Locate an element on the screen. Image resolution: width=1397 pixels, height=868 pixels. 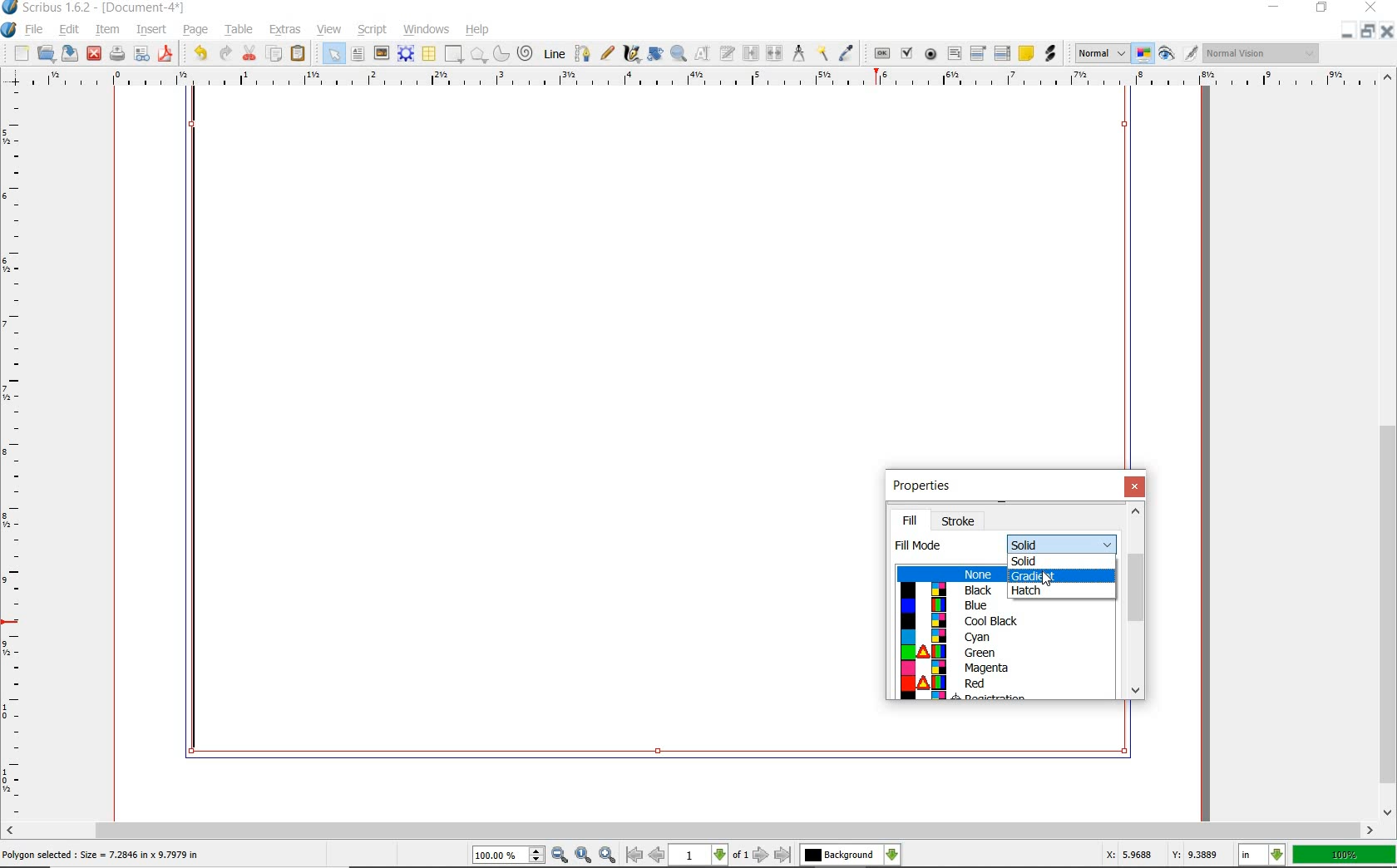
render frame is located at coordinates (407, 55).